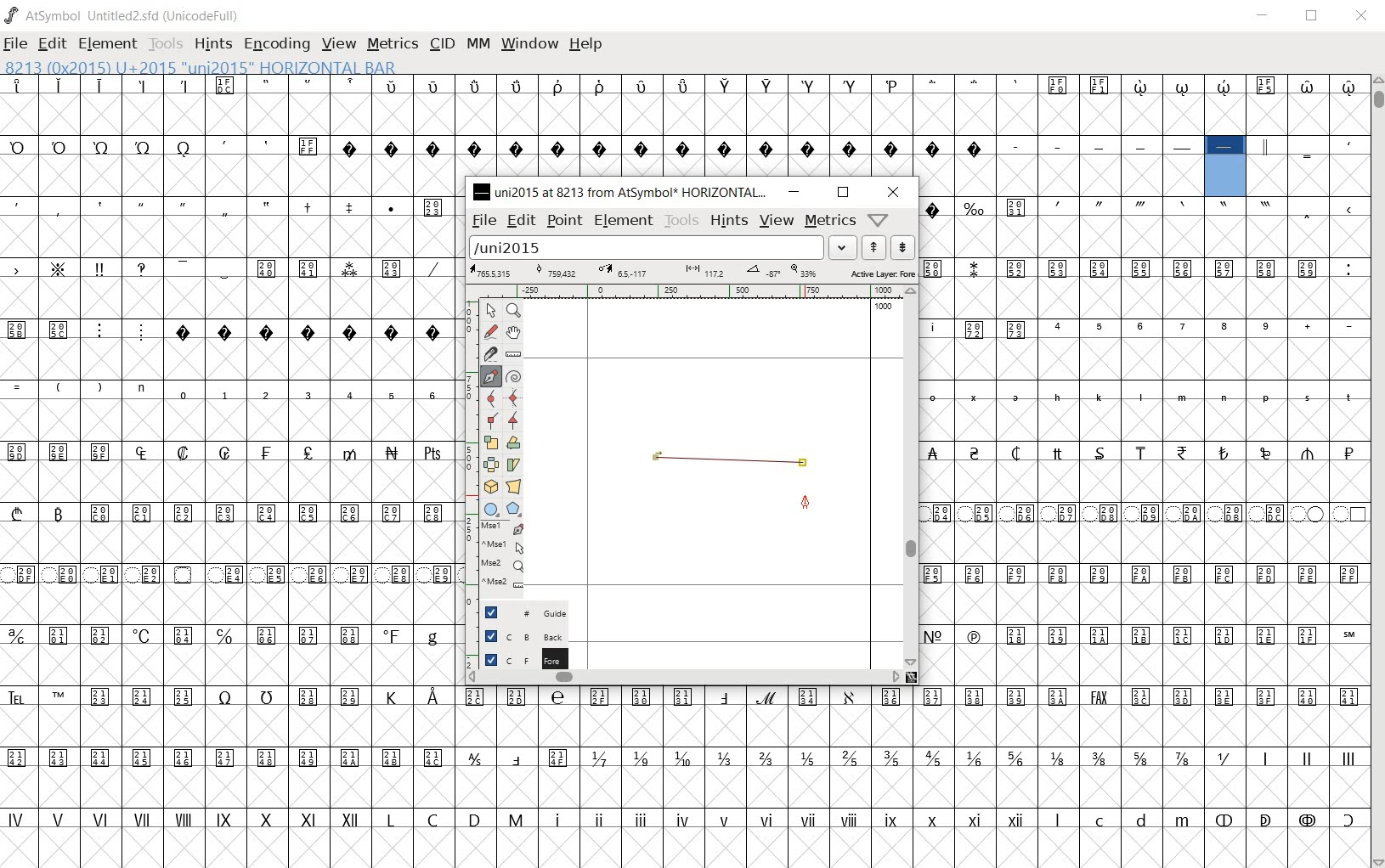  Describe the element at coordinates (1378, 471) in the screenshot. I see `SCROLLBAR` at that location.